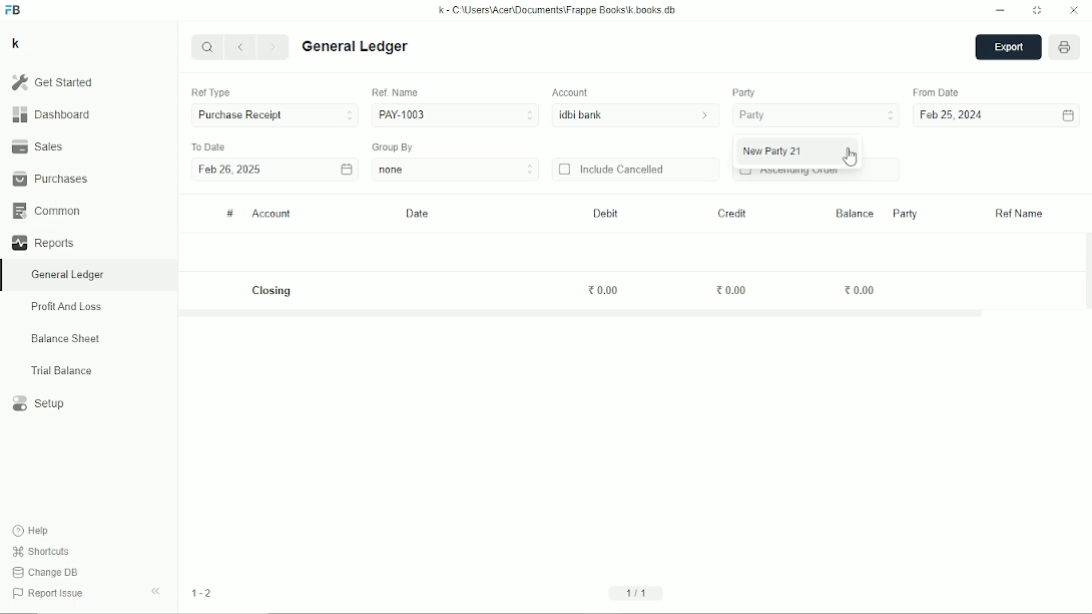 Image resolution: width=1092 pixels, height=614 pixels. Describe the element at coordinates (51, 114) in the screenshot. I see `Dashboard` at that location.